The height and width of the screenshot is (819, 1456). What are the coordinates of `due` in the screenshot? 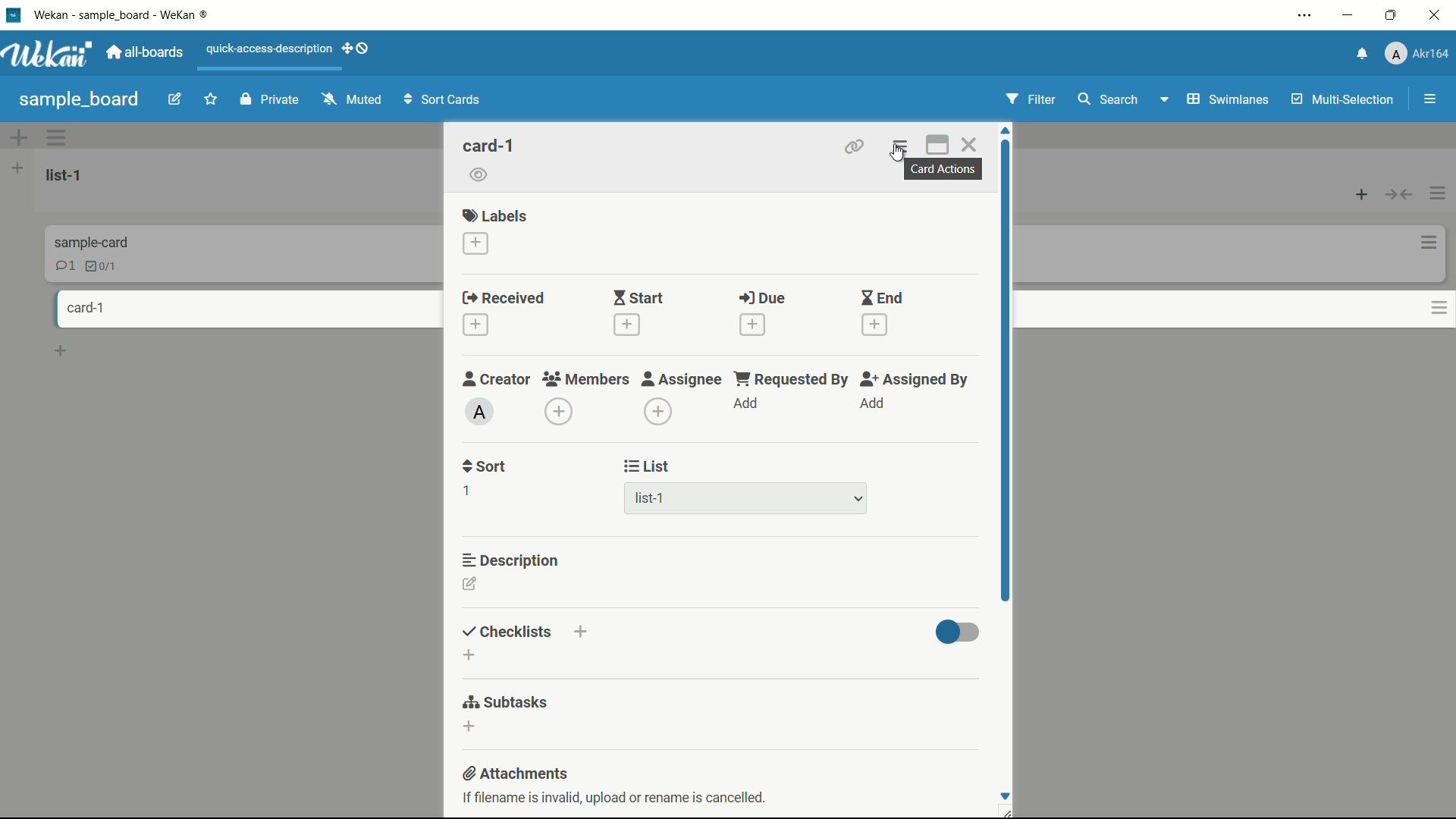 It's located at (763, 298).